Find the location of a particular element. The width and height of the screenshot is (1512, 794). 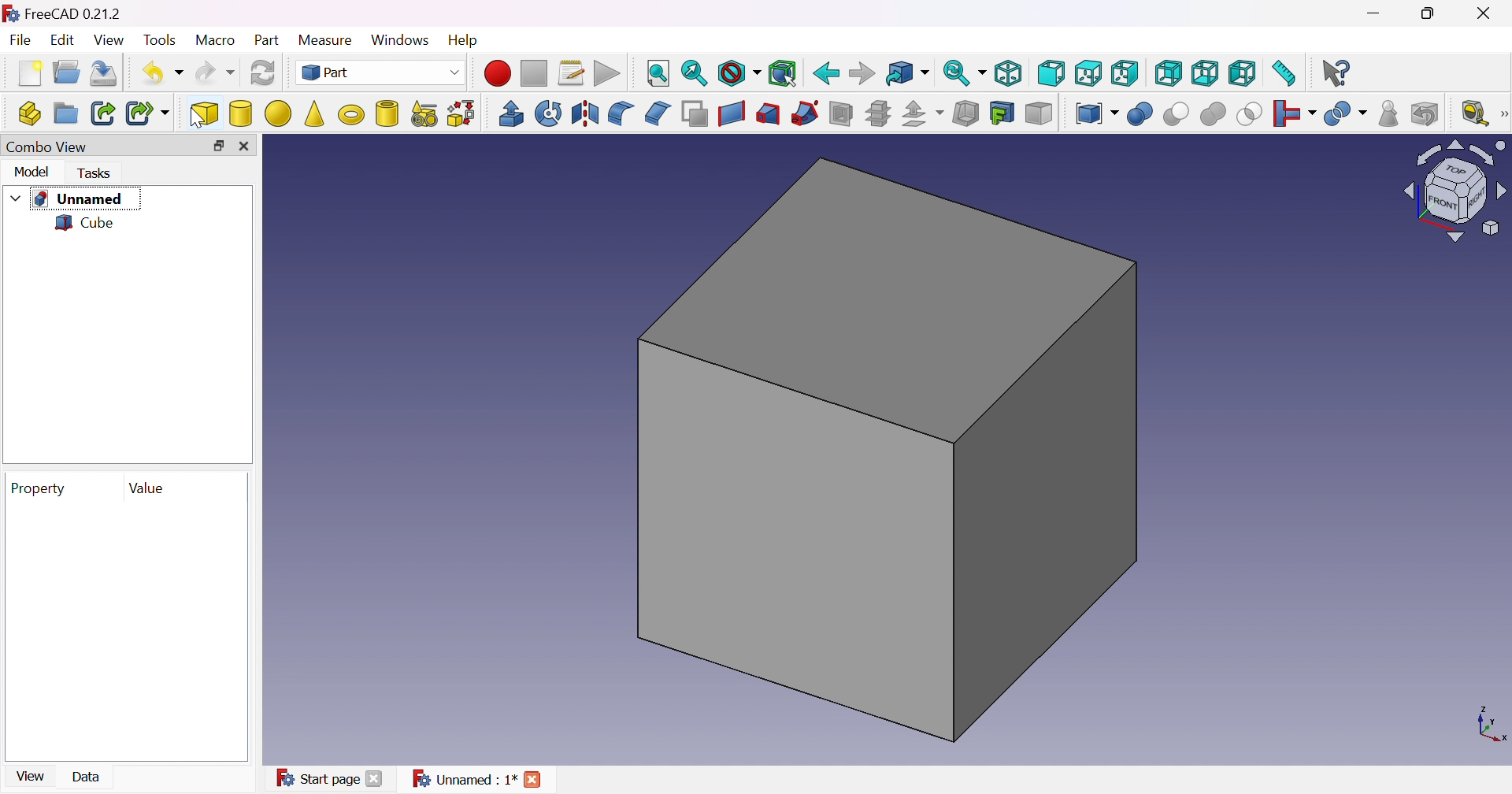

Draw style is located at coordinates (739, 74).